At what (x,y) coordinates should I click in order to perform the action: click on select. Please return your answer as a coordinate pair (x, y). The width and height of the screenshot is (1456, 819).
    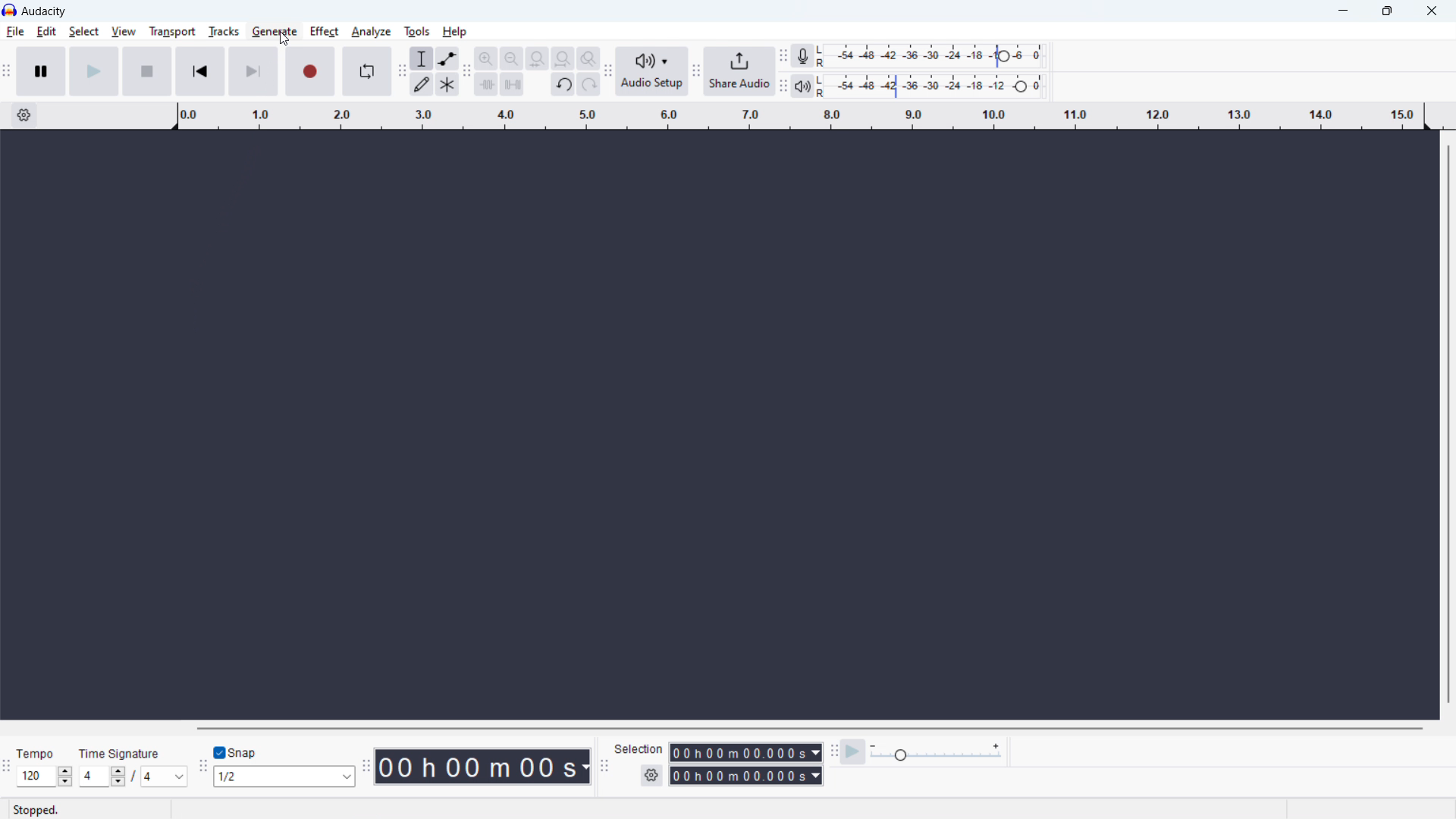
    Looking at the image, I should click on (84, 31).